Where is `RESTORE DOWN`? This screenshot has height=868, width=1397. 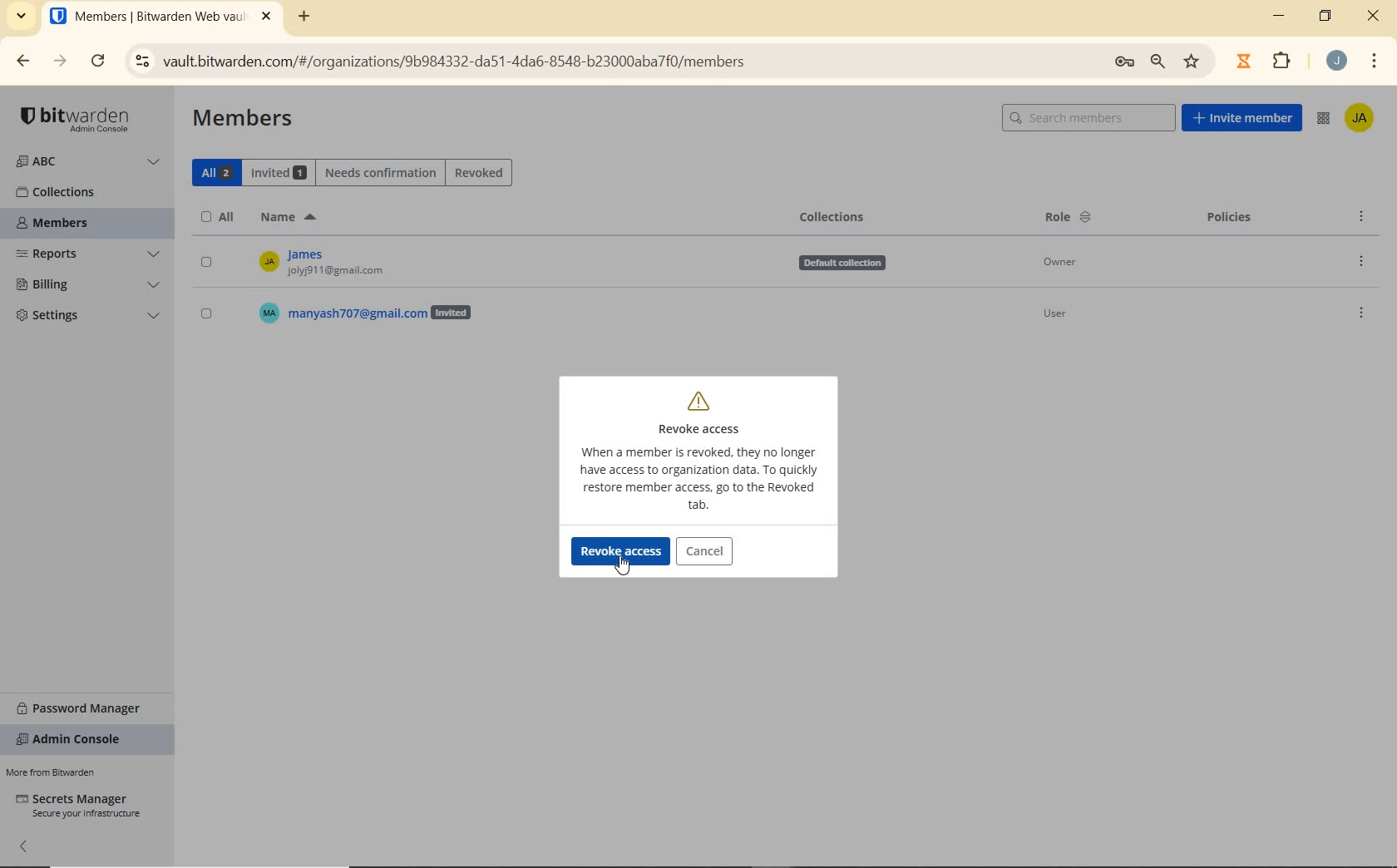
RESTORE DOWN is located at coordinates (1327, 19).